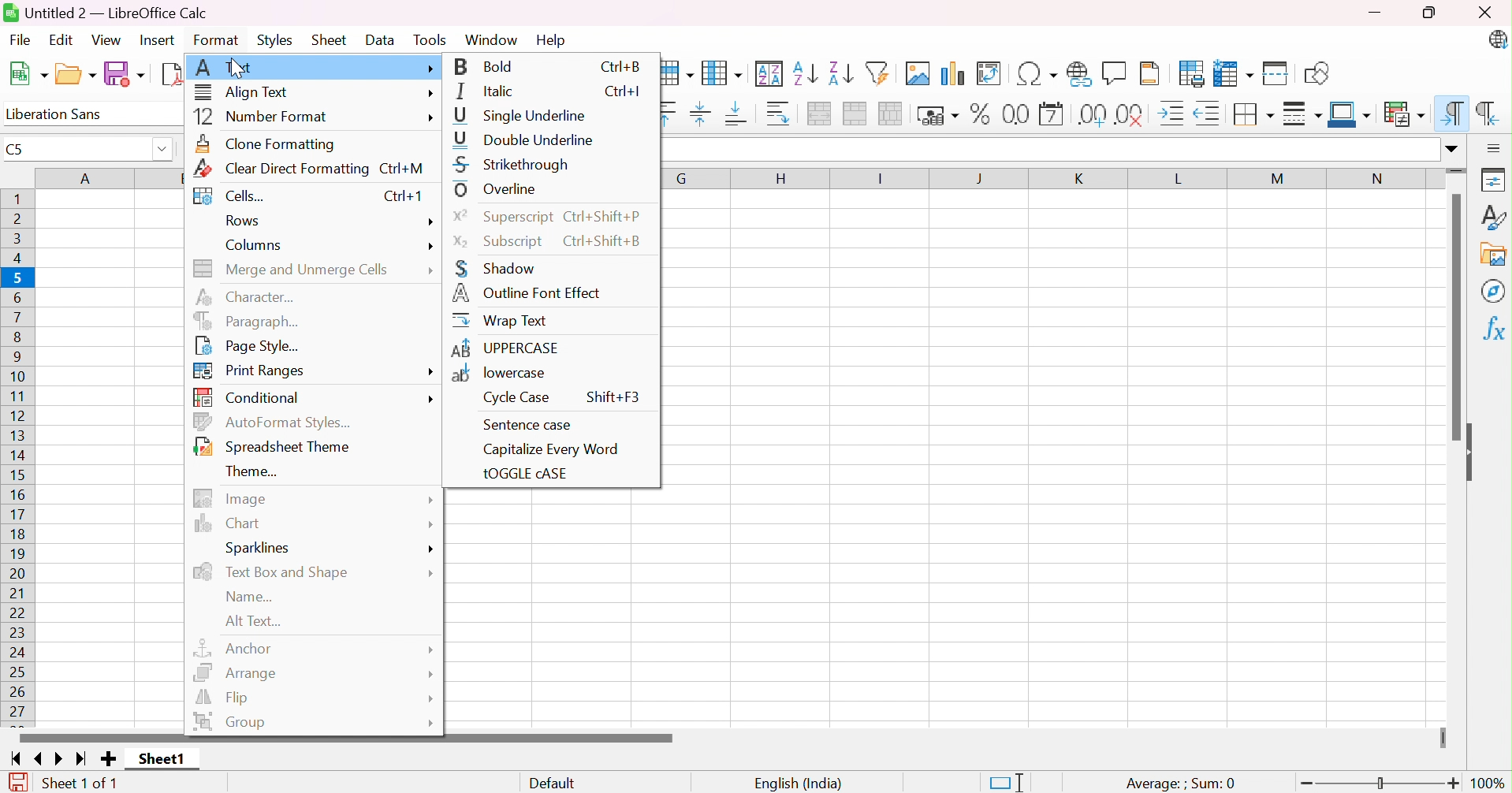  I want to click on More, so click(430, 524).